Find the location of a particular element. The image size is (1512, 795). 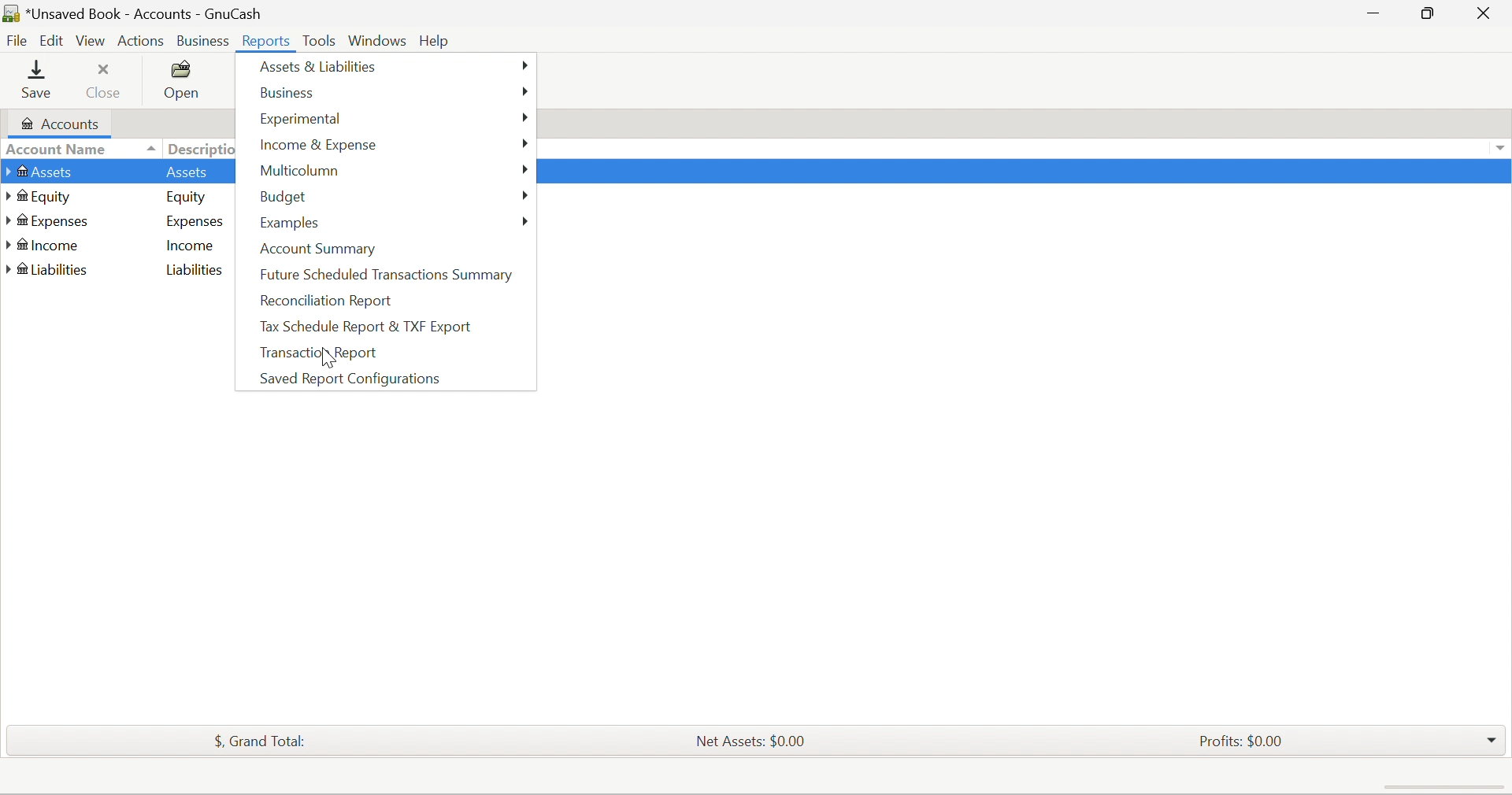

More is located at coordinates (527, 117).